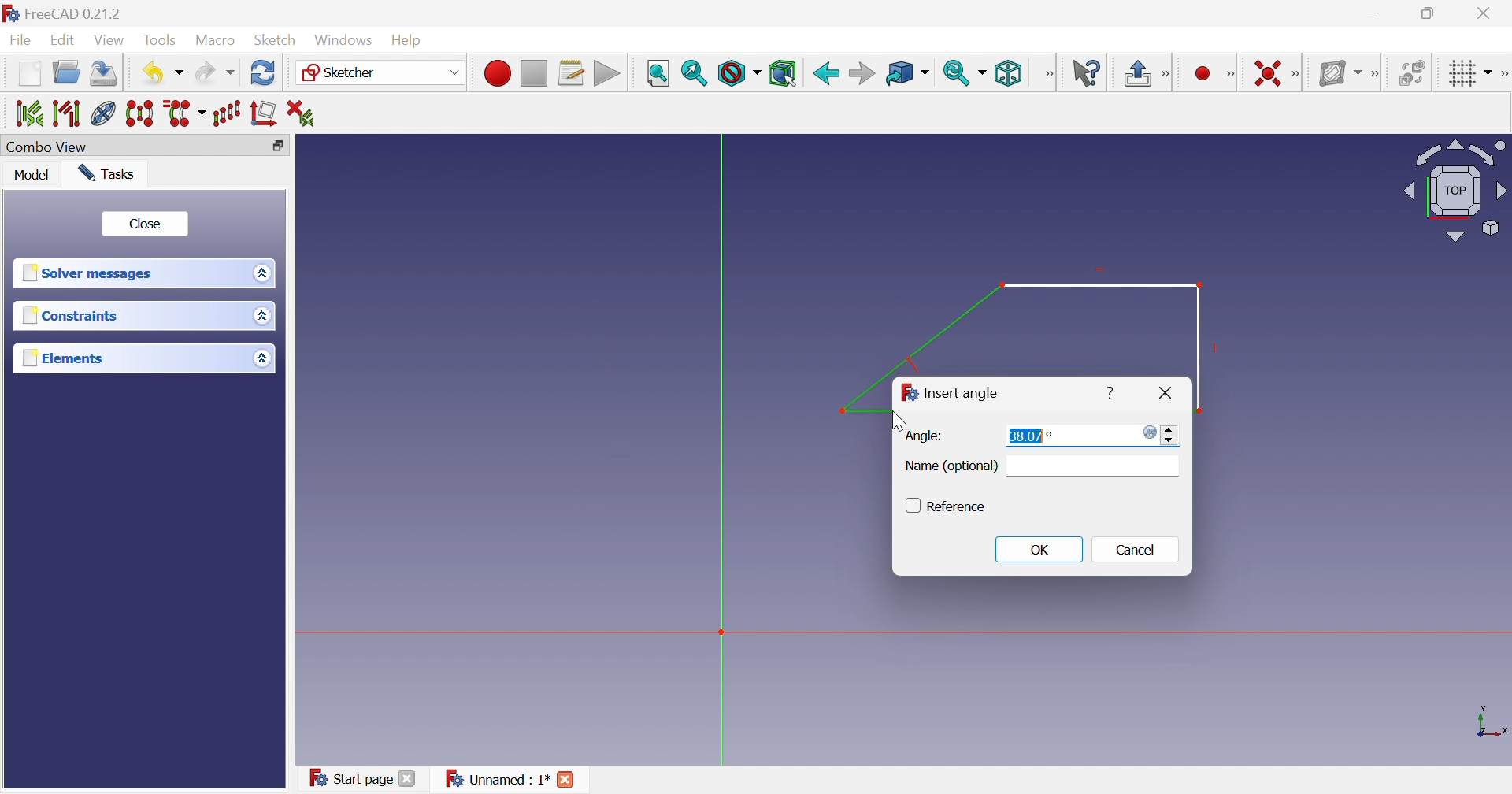  Describe the element at coordinates (229, 114) in the screenshot. I see `Rectangular array` at that location.